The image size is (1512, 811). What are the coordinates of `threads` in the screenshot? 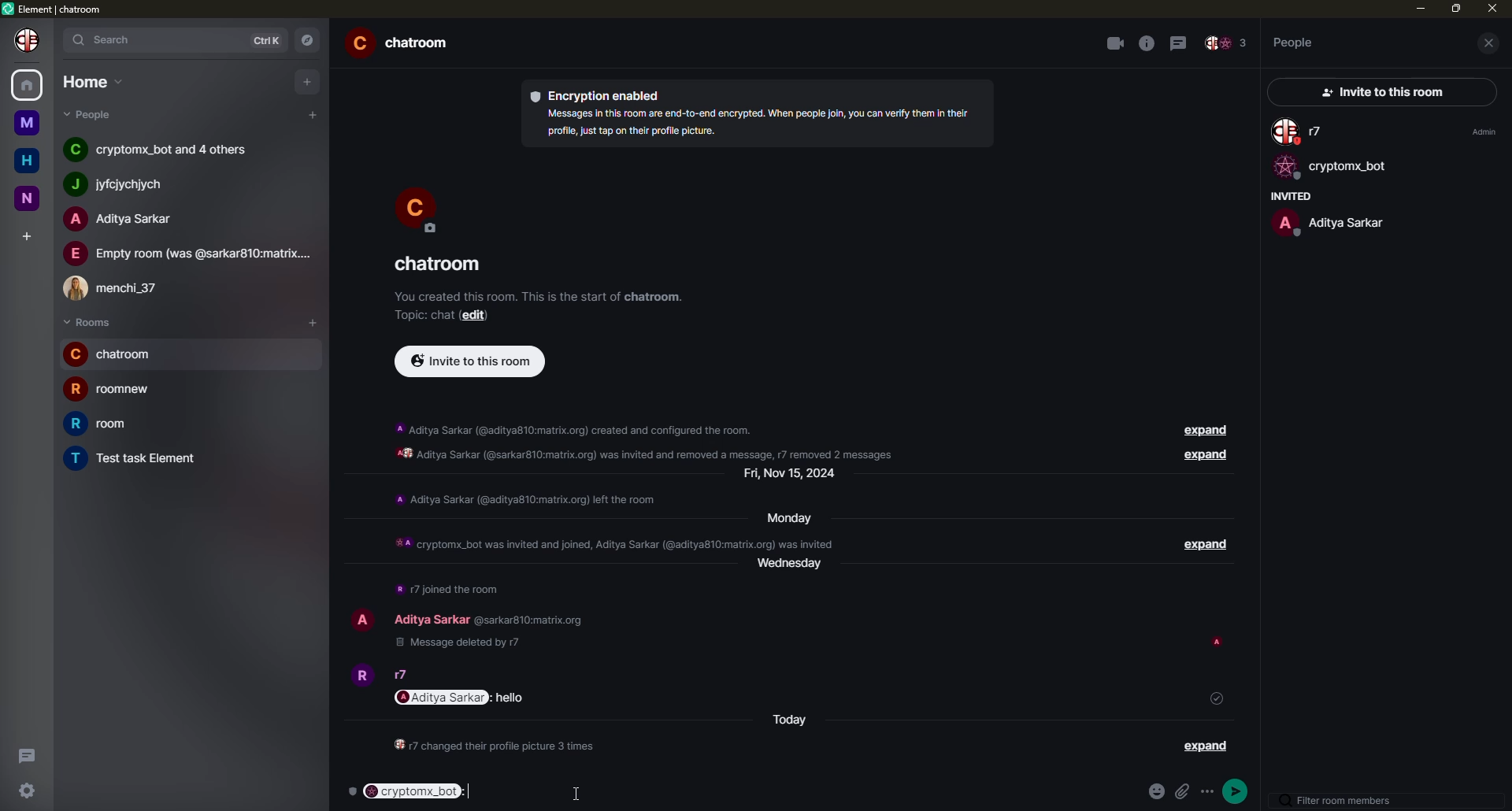 It's located at (24, 754).